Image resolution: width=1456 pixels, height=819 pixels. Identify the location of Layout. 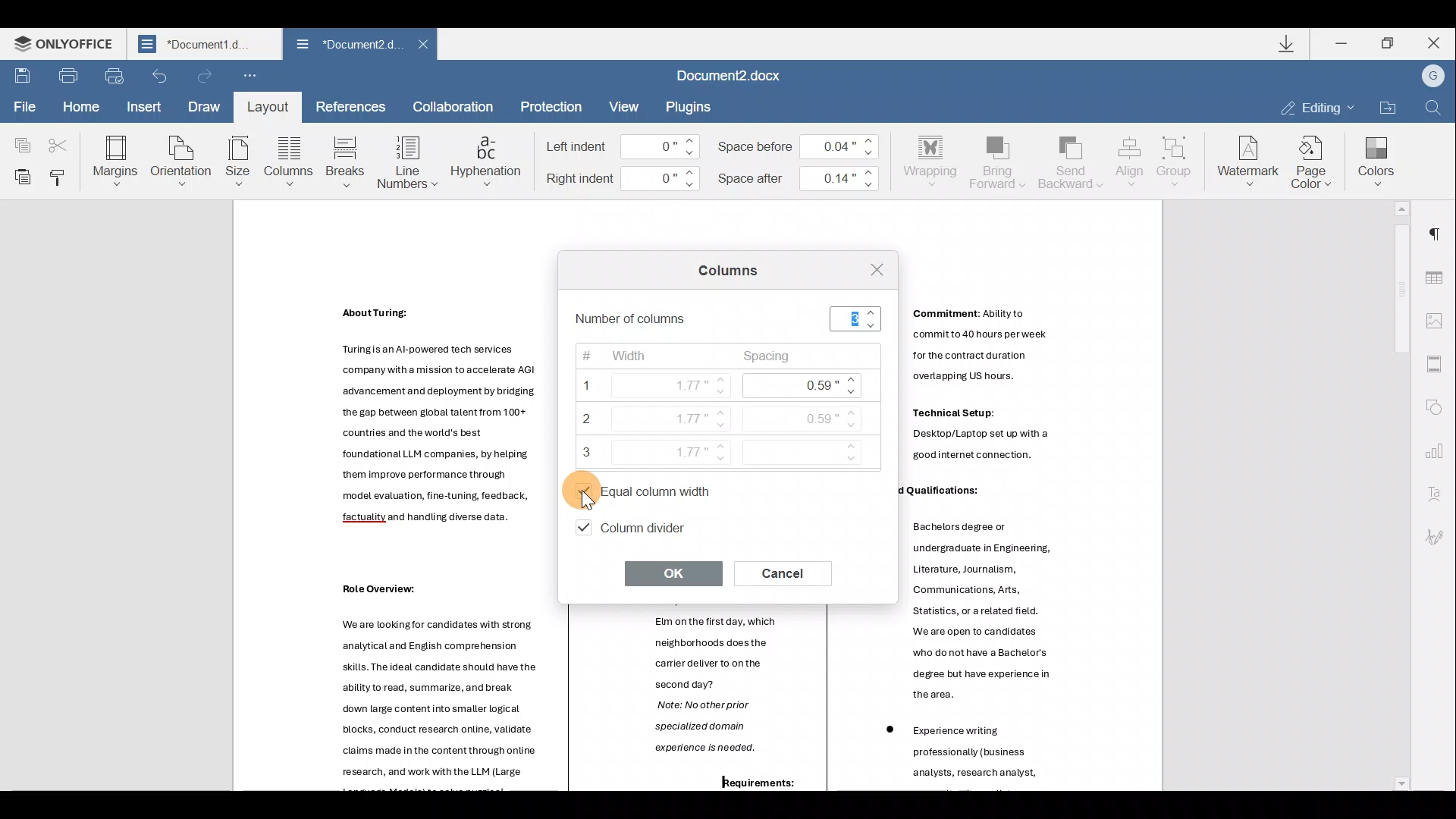
(267, 106).